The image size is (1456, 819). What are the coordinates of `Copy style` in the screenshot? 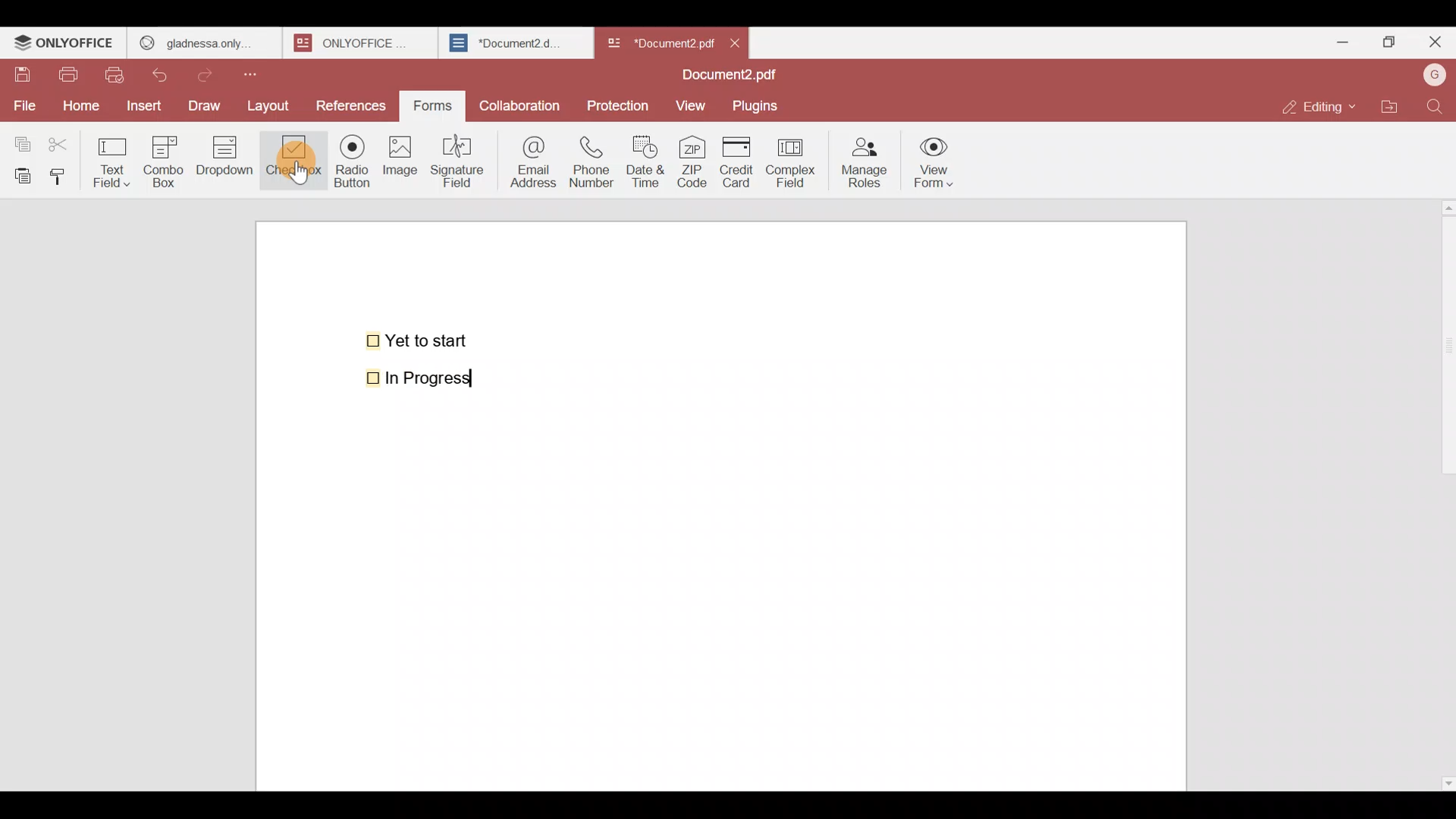 It's located at (64, 173).